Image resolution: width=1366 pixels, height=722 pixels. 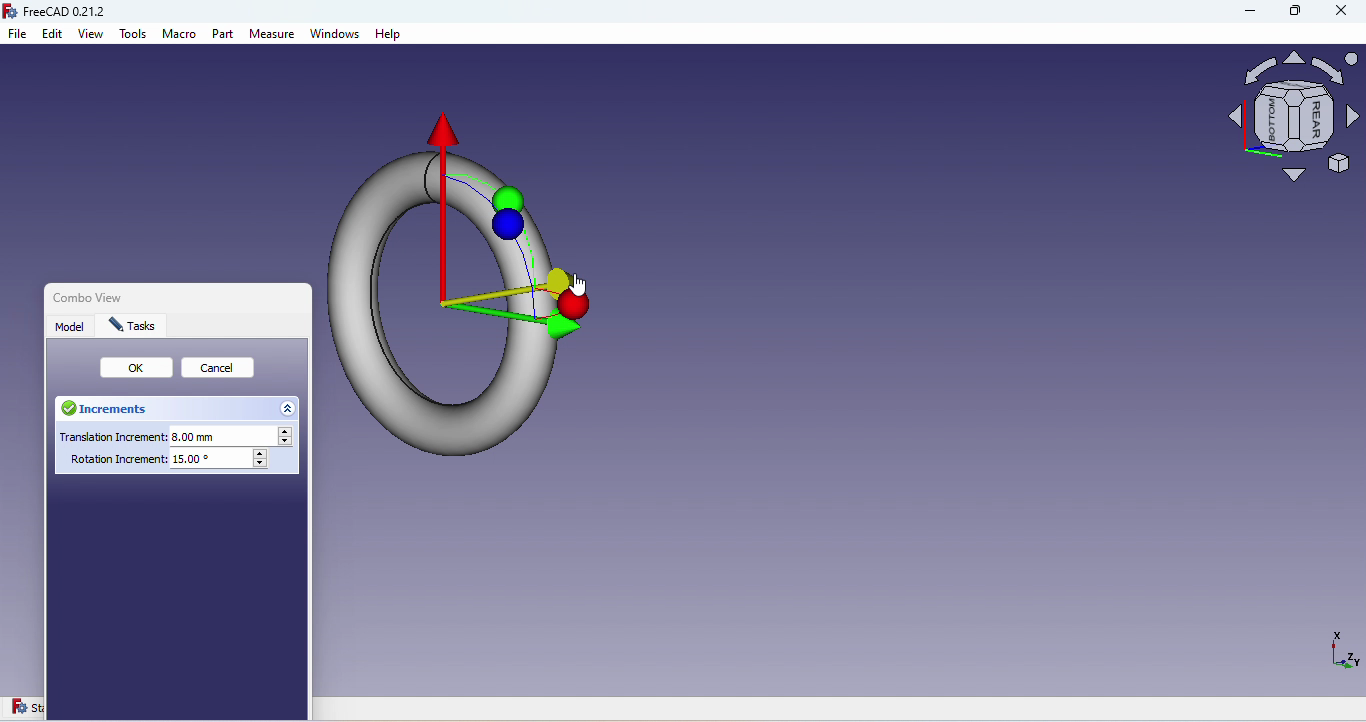 What do you see at coordinates (134, 38) in the screenshot?
I see `Tools` at bounding box center [134, 38].